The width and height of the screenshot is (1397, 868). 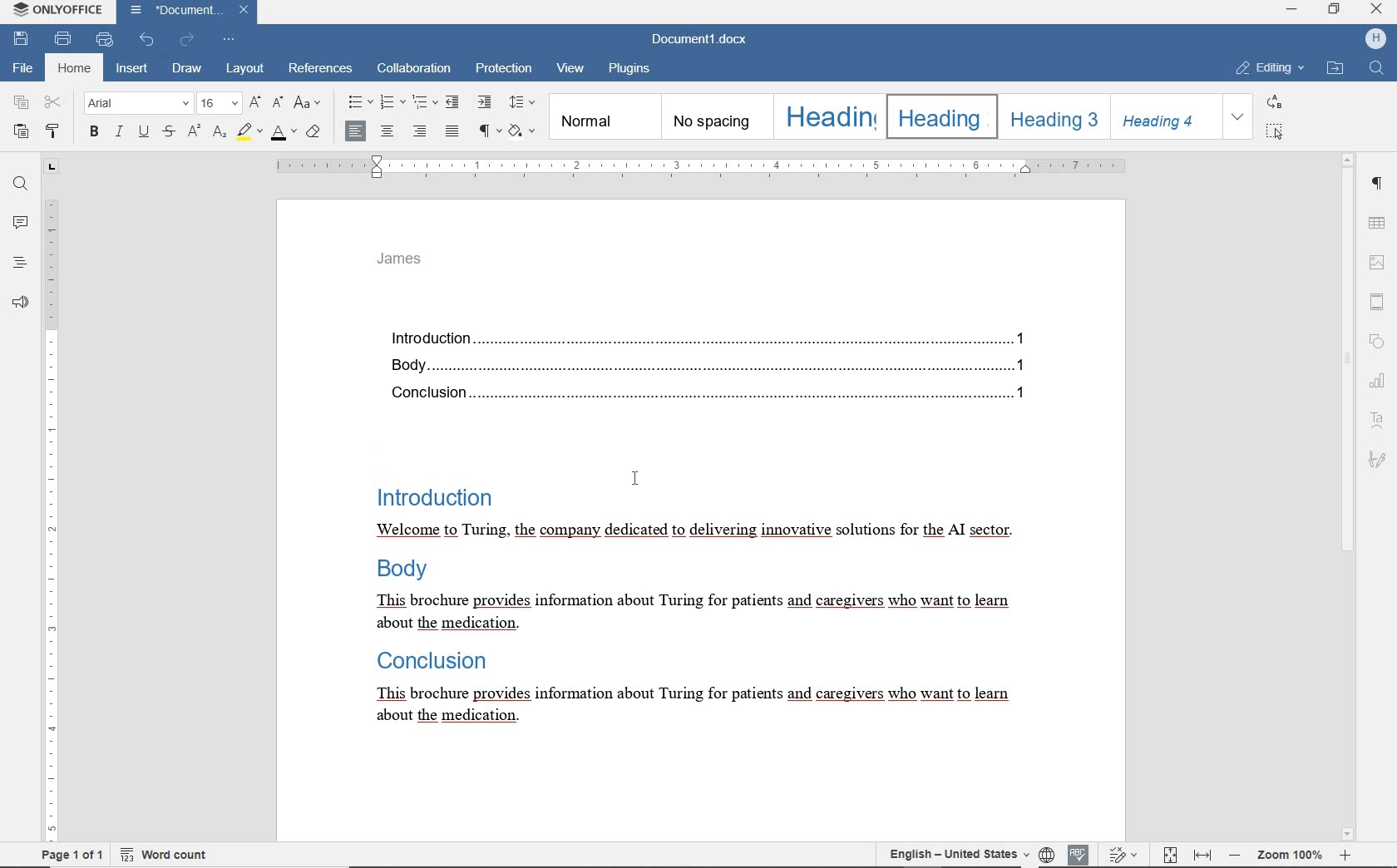 I want to click on table, so click(x=1379, y=223).